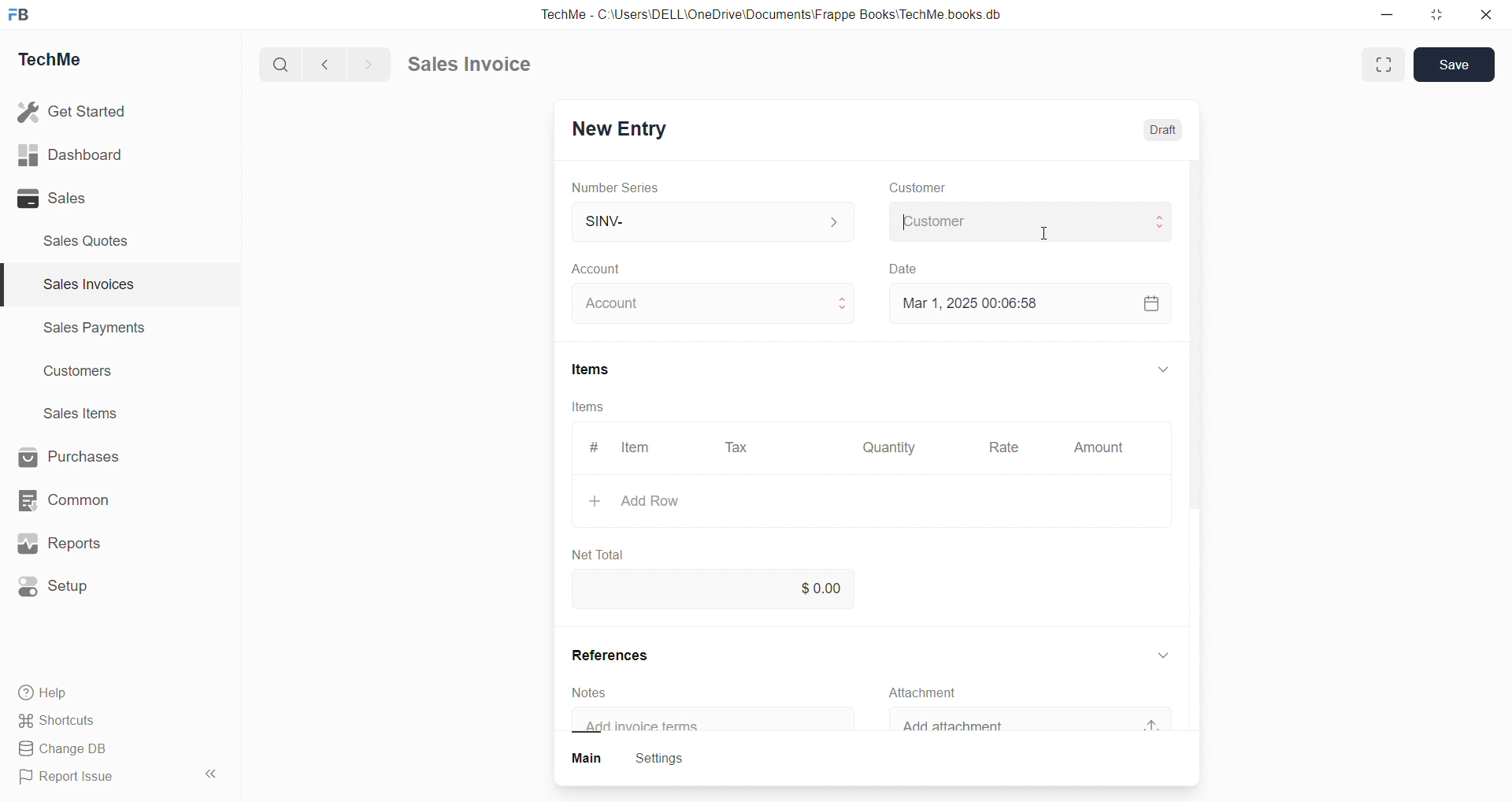 The height and width of the screenshot is (802, 1512). I want to click on Search buton, so click(283, 65).